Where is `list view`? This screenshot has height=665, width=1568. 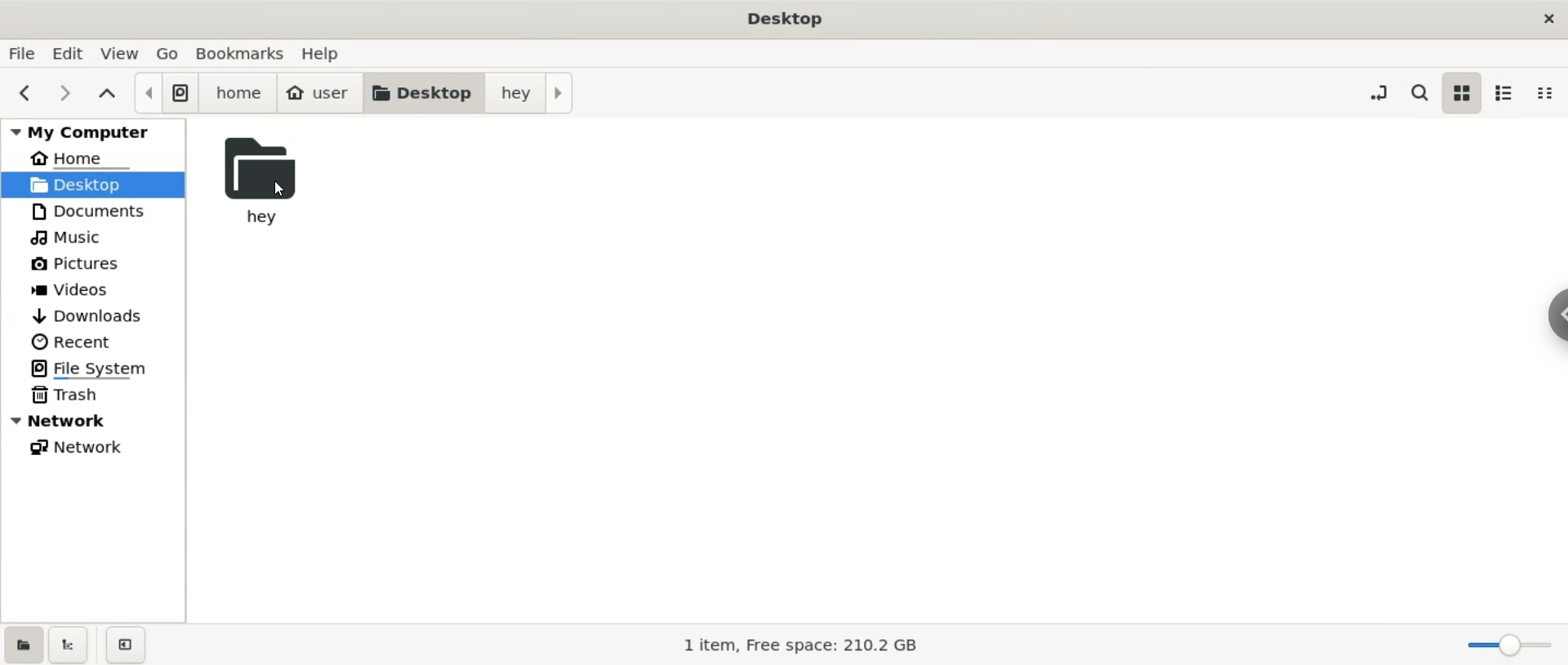
list view is located at coordinates (1509, 93).